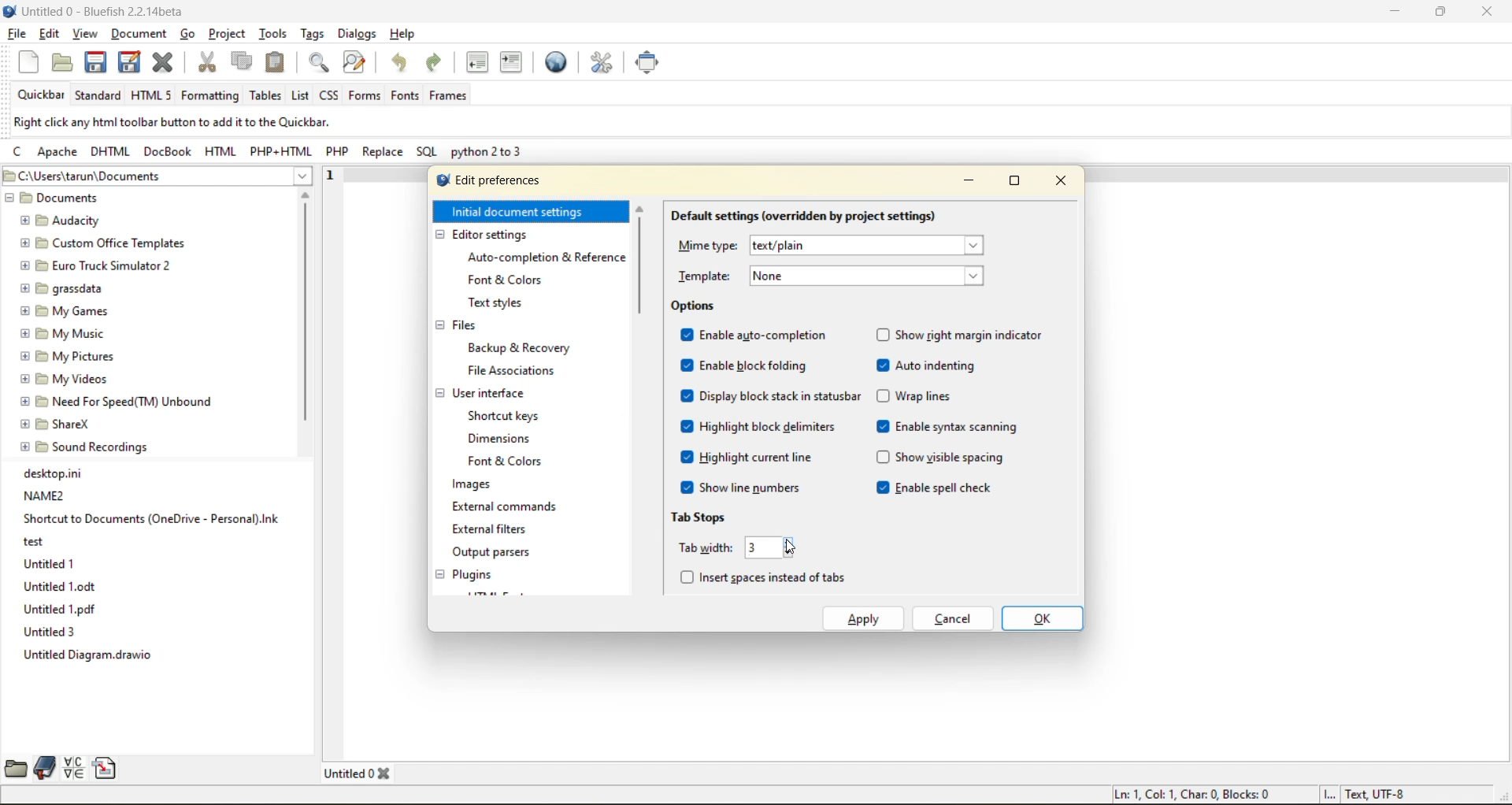 The image size is (1512, 805). I want to click on dimensions, so click(504, 438).